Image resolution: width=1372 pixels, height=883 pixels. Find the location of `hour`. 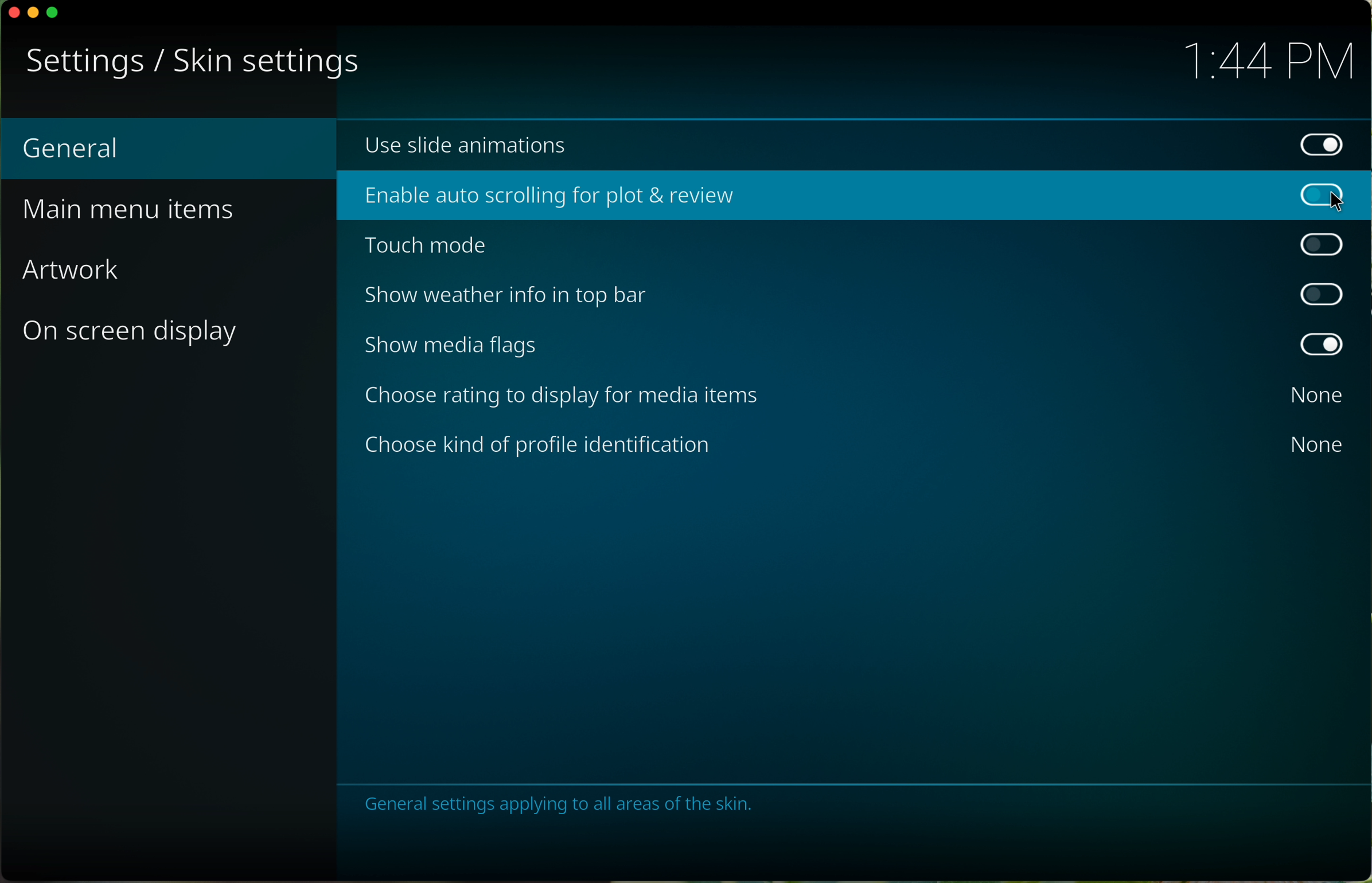

hour is located at coordinates (1267, 63).